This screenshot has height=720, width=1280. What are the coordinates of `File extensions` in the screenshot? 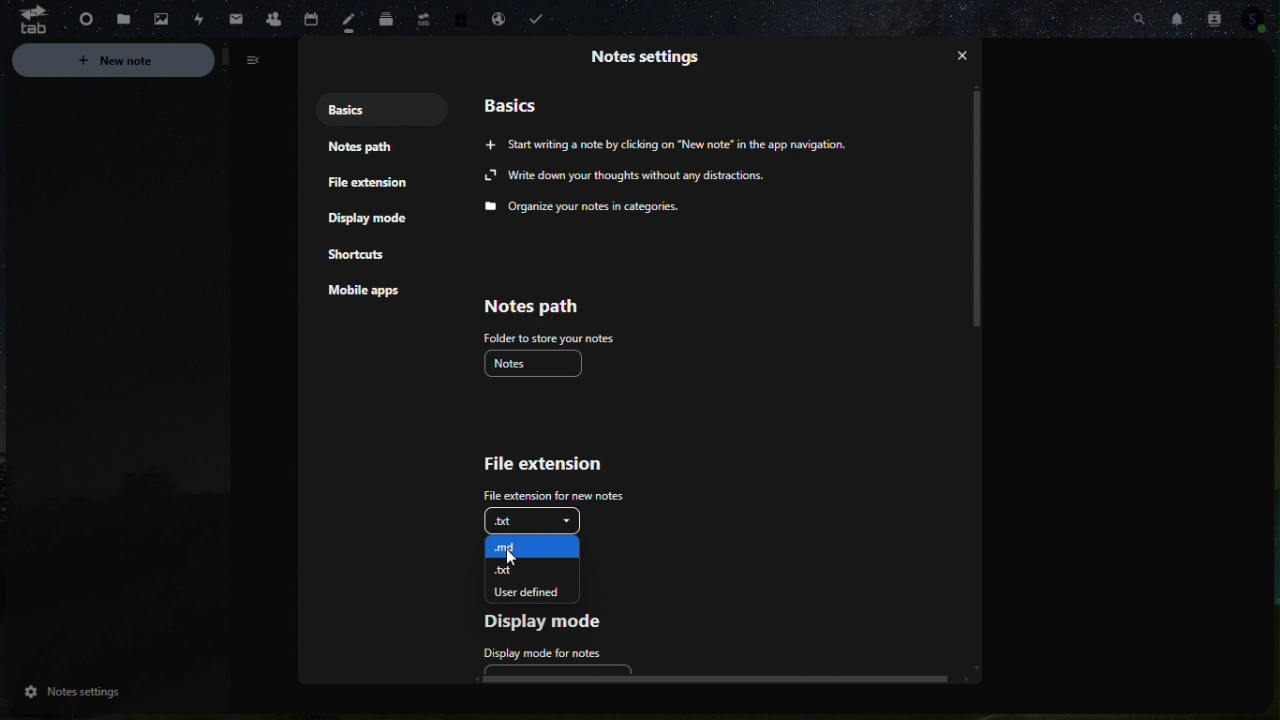 It's located at (365, 183).